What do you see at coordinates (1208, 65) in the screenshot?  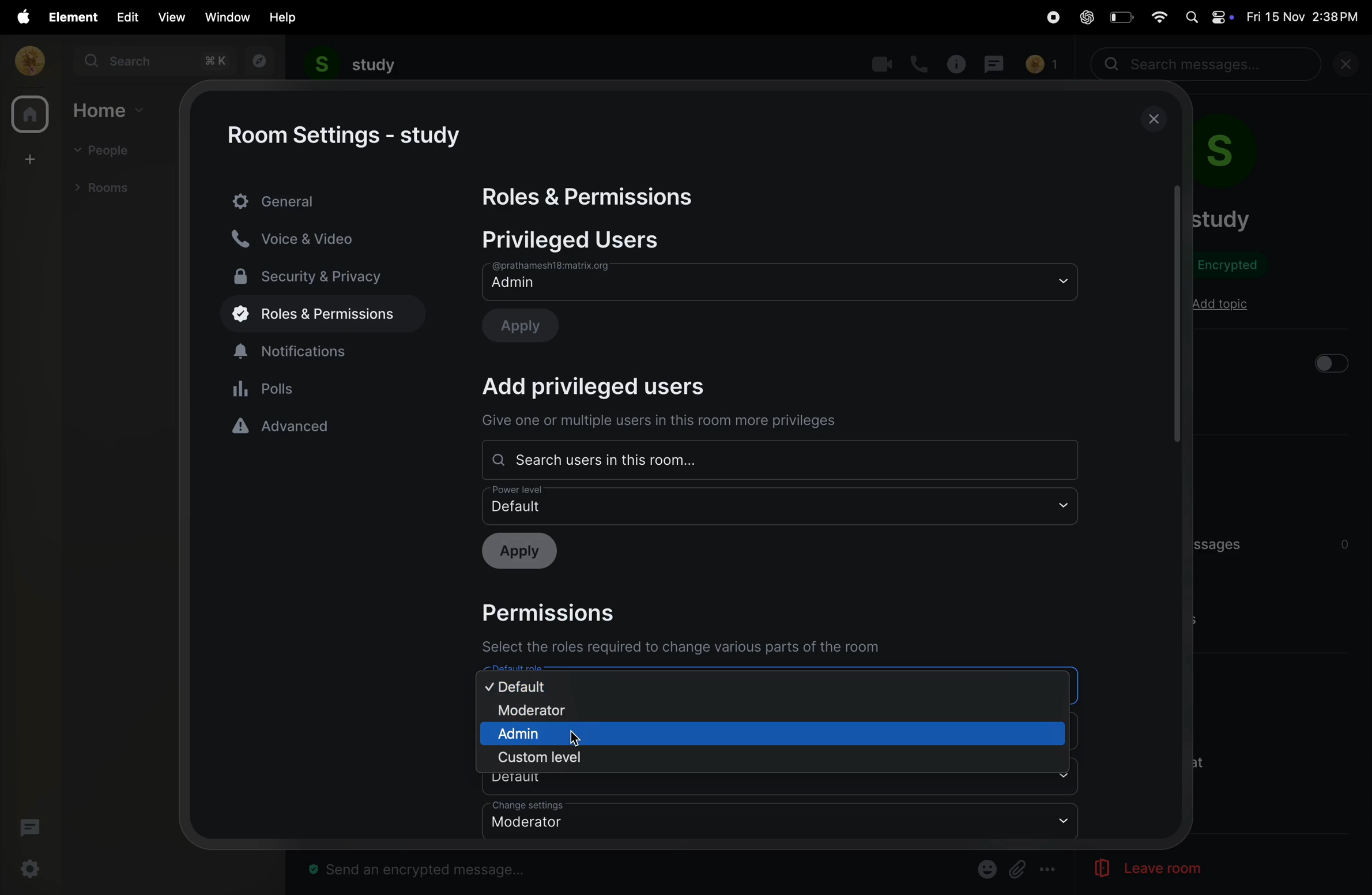 I see `search bar` at bounding box center [1208, 65].